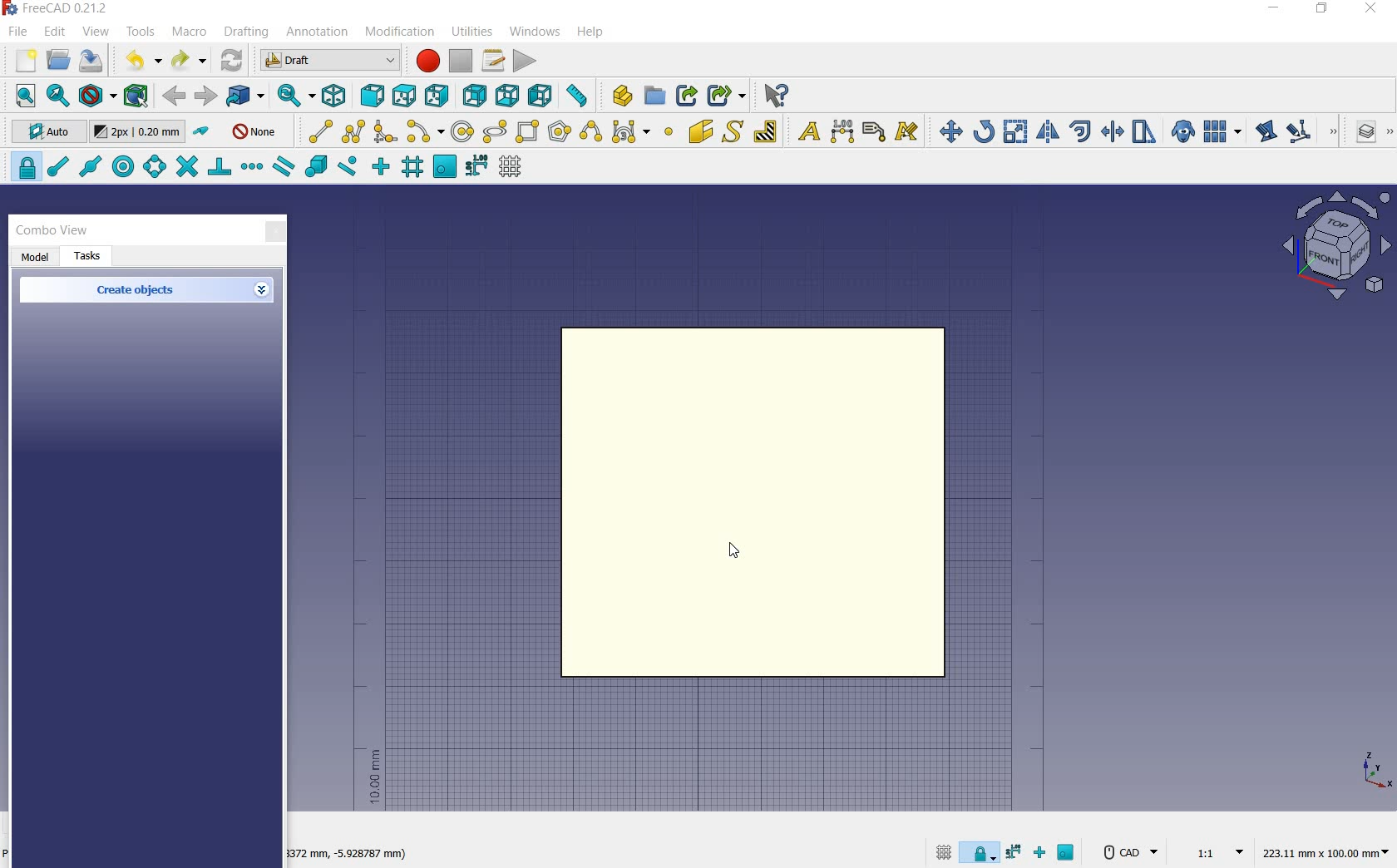 This screenshot has width=1397, height=868. What do you see at coordinates (121, 167) in the screenshot?
I see `snap center` at bounding box center [121, 167].